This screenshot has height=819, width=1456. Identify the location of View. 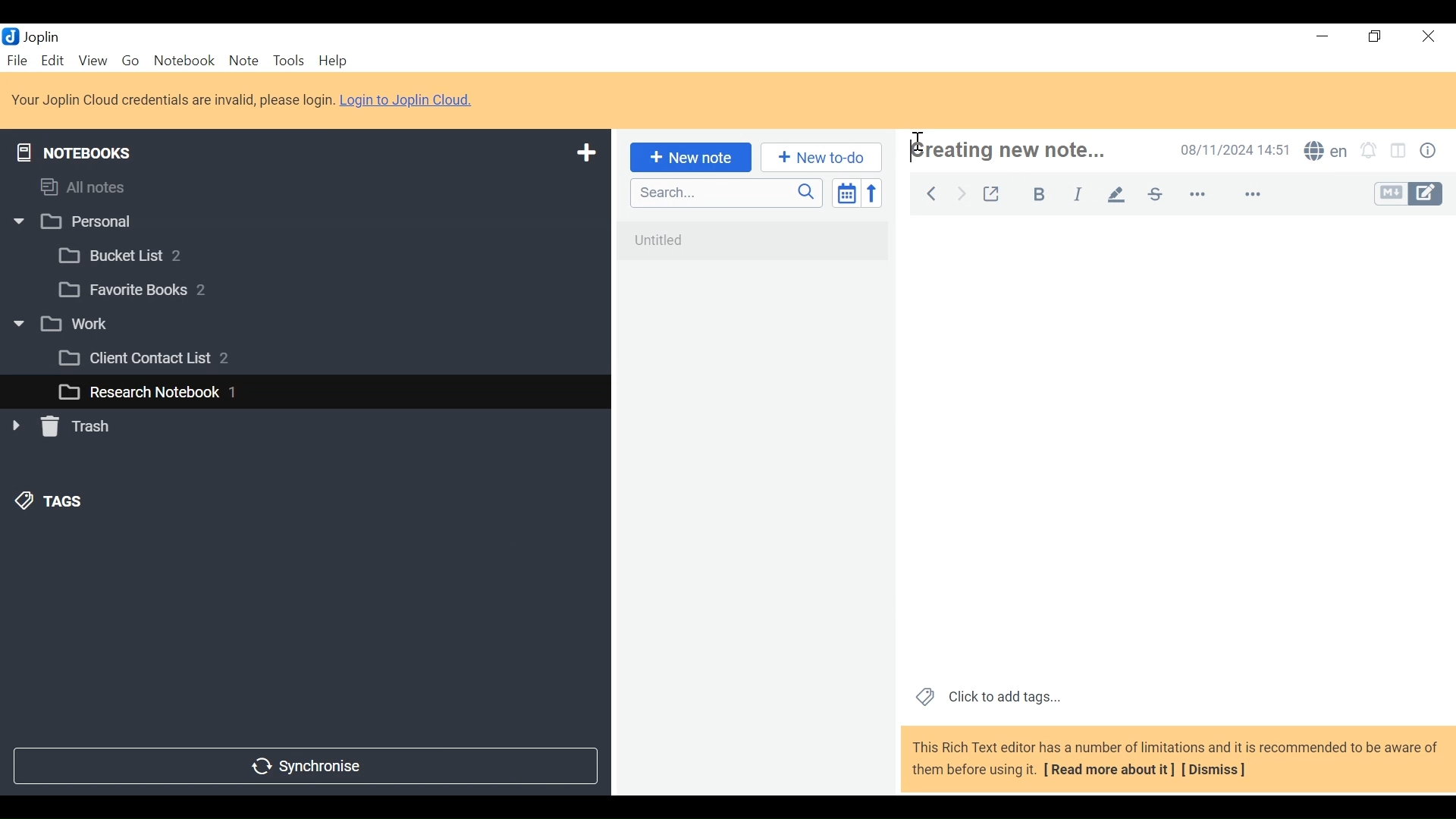
(93, 60).